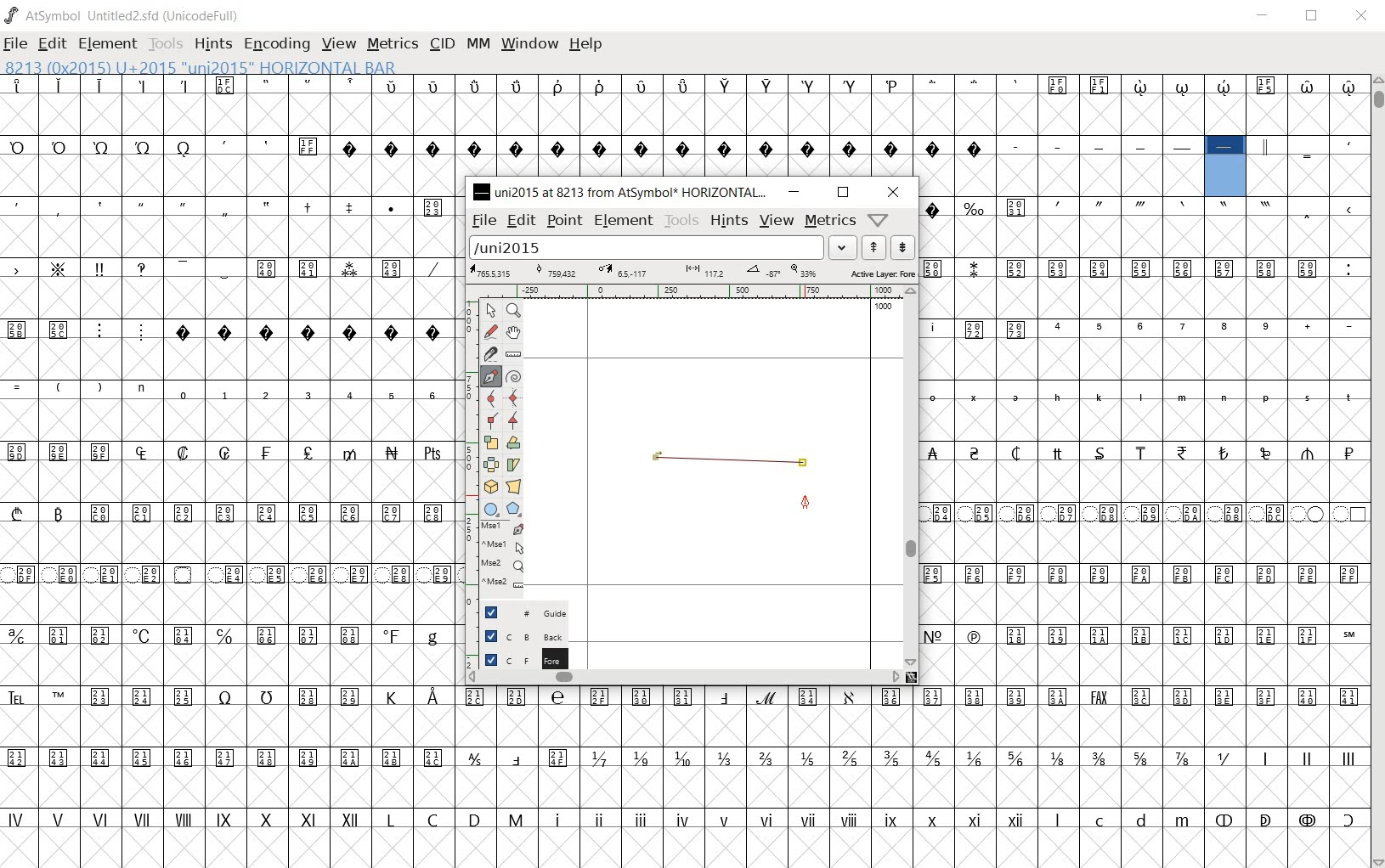 This screenshot has height=868, width=1385. I want to click on ruler, so click(696, 291).